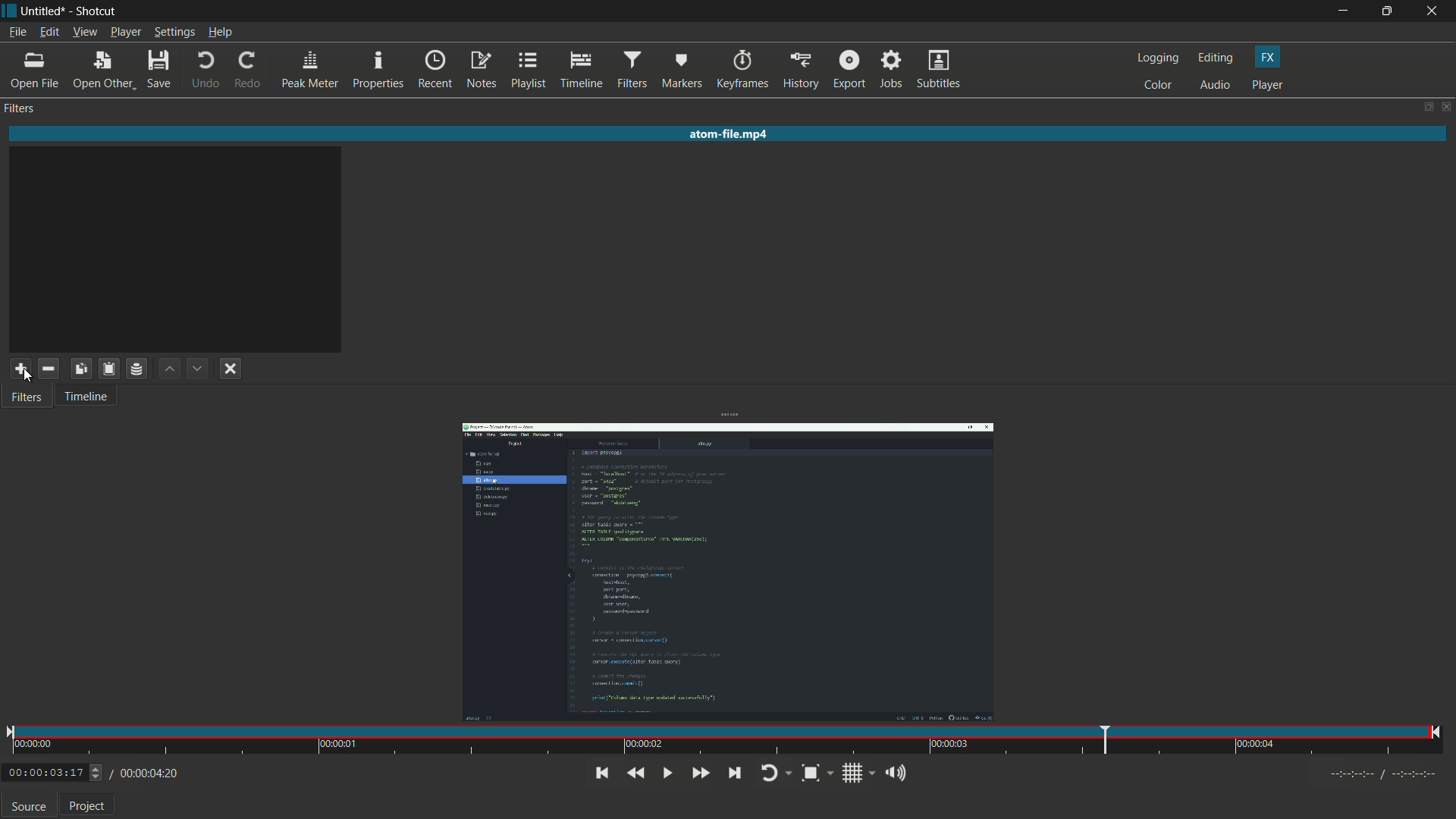 The width and height of the screenshot is (1456, 819). What do you see at coordinates (20, 370) in the screenshot?
I see `add filter` at bounding box center [20, 370].